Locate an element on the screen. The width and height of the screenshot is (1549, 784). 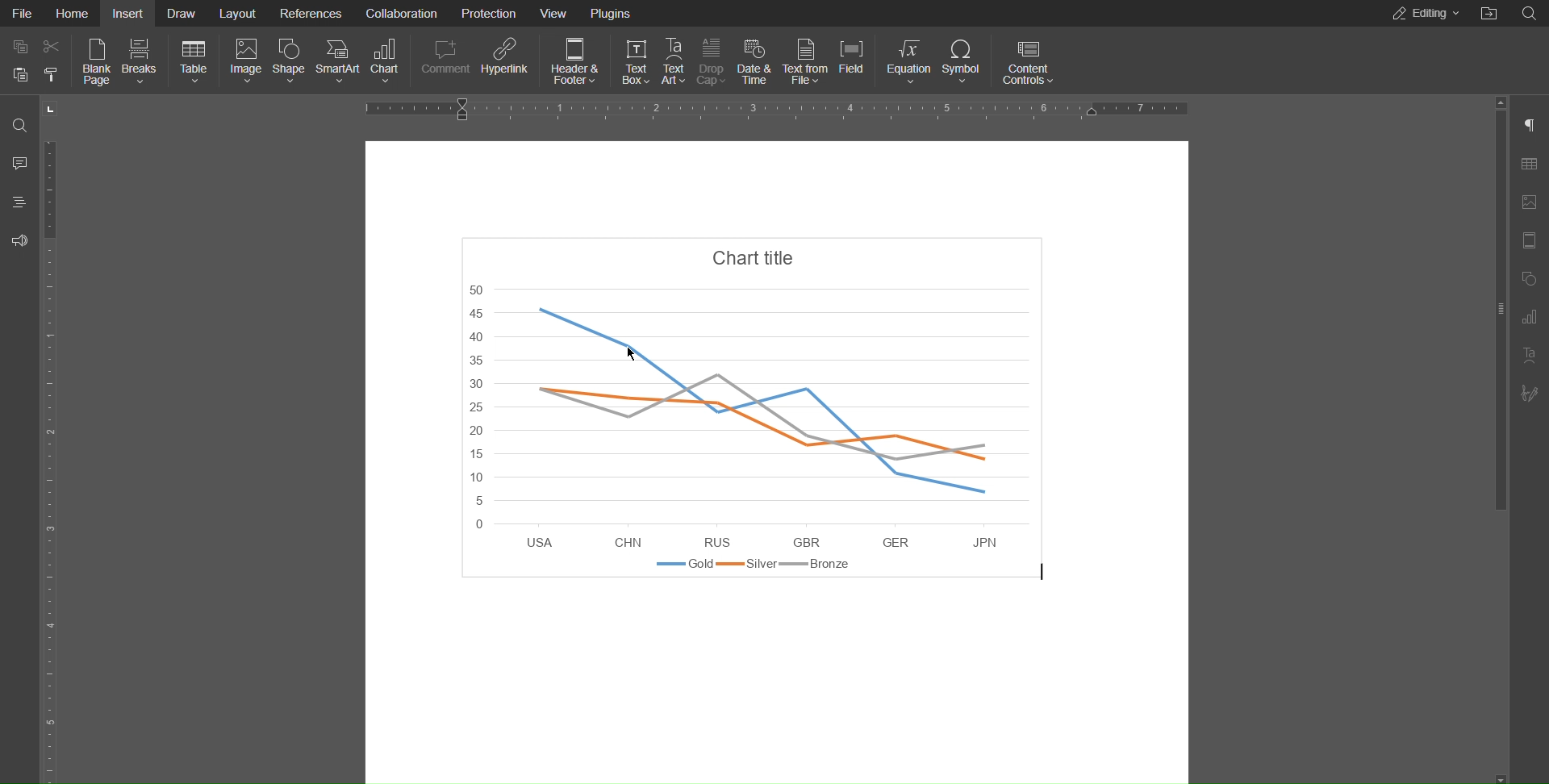
Shape Settings is located at coordinates (1530, 279).